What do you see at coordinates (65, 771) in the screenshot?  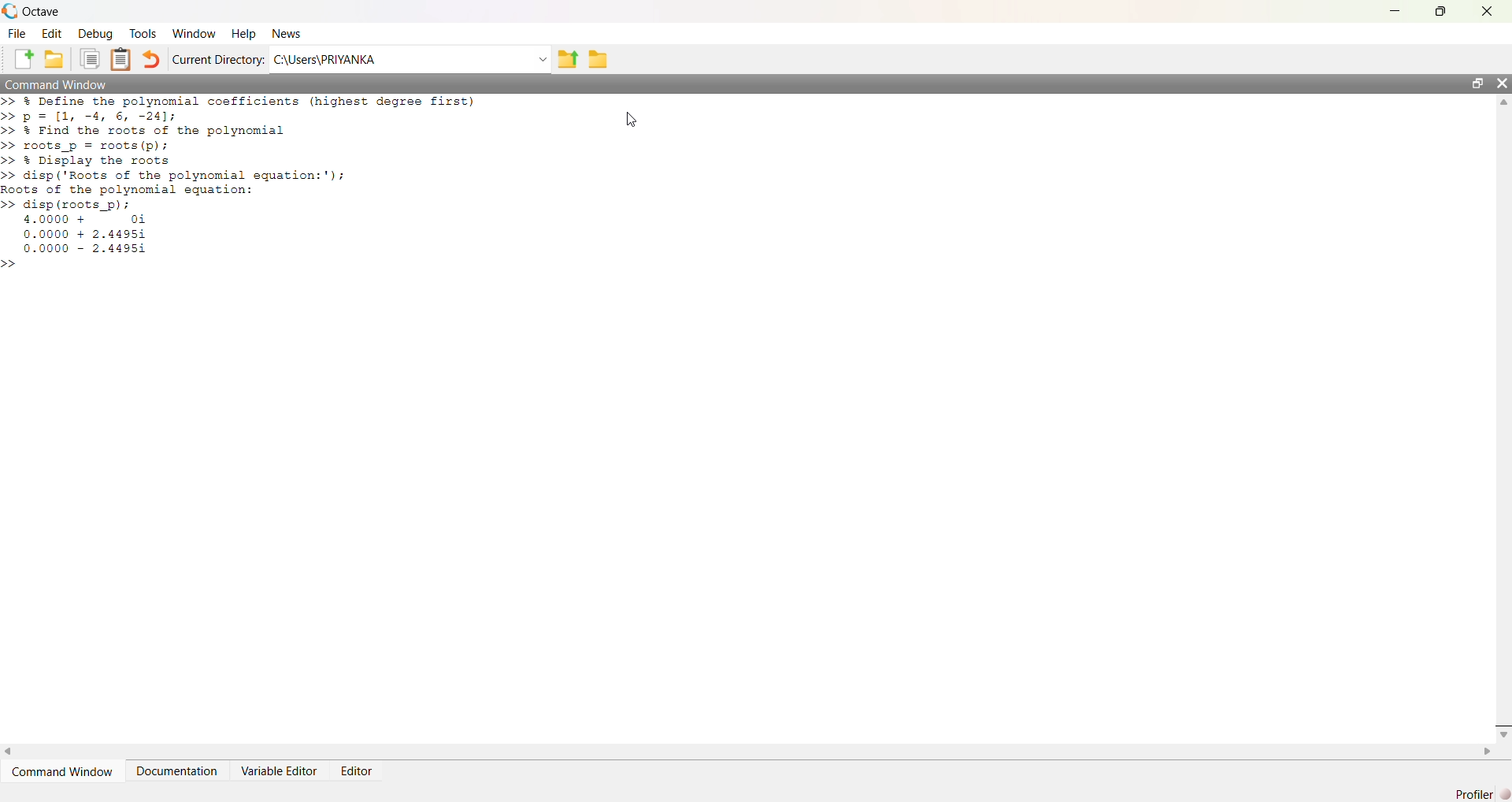 I see `Command Window` at bounding box center [65, 771].